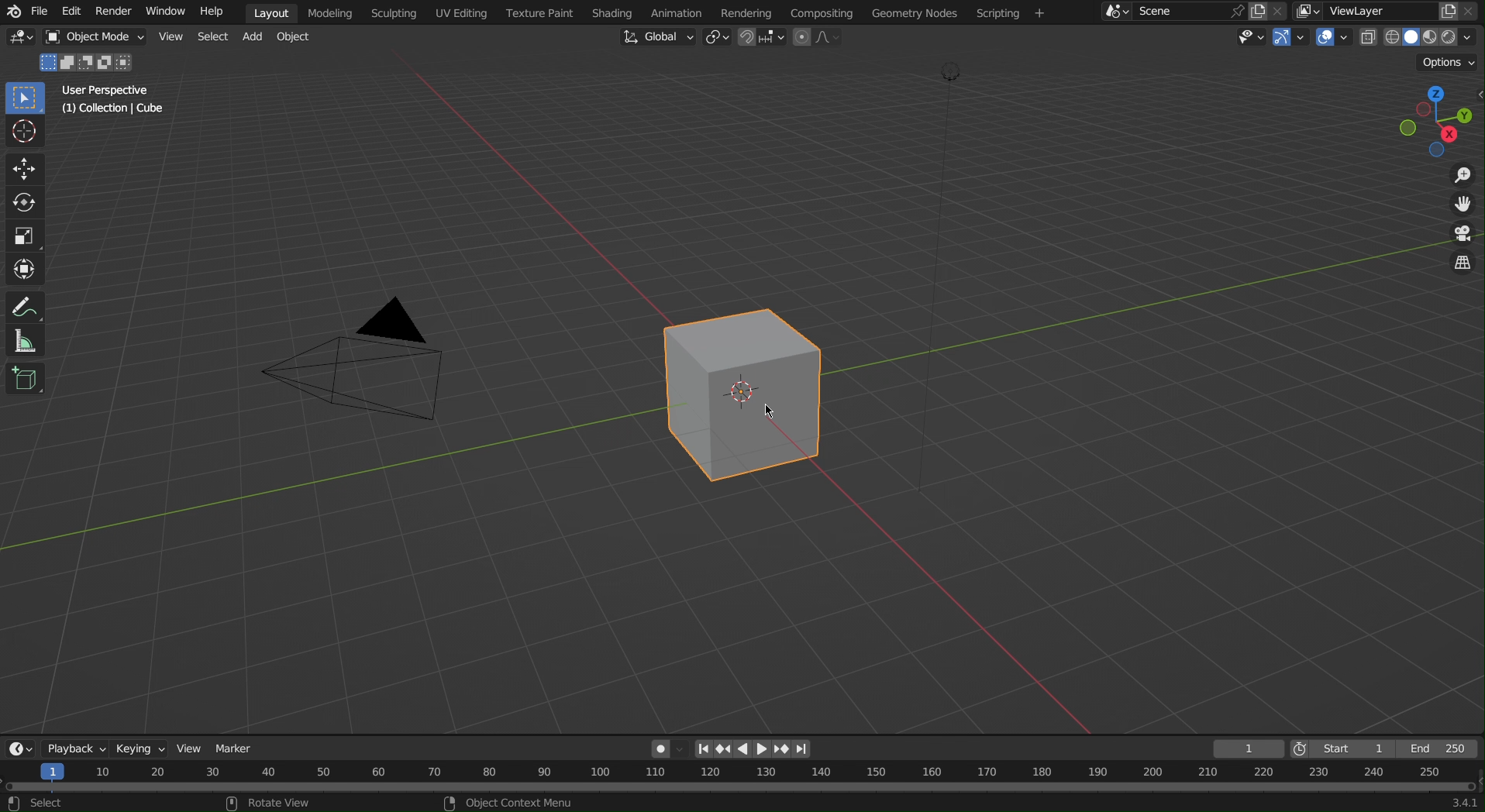 This screenshot has height=812, width=1485. I want to click on Object Mode, so click(94, 37).